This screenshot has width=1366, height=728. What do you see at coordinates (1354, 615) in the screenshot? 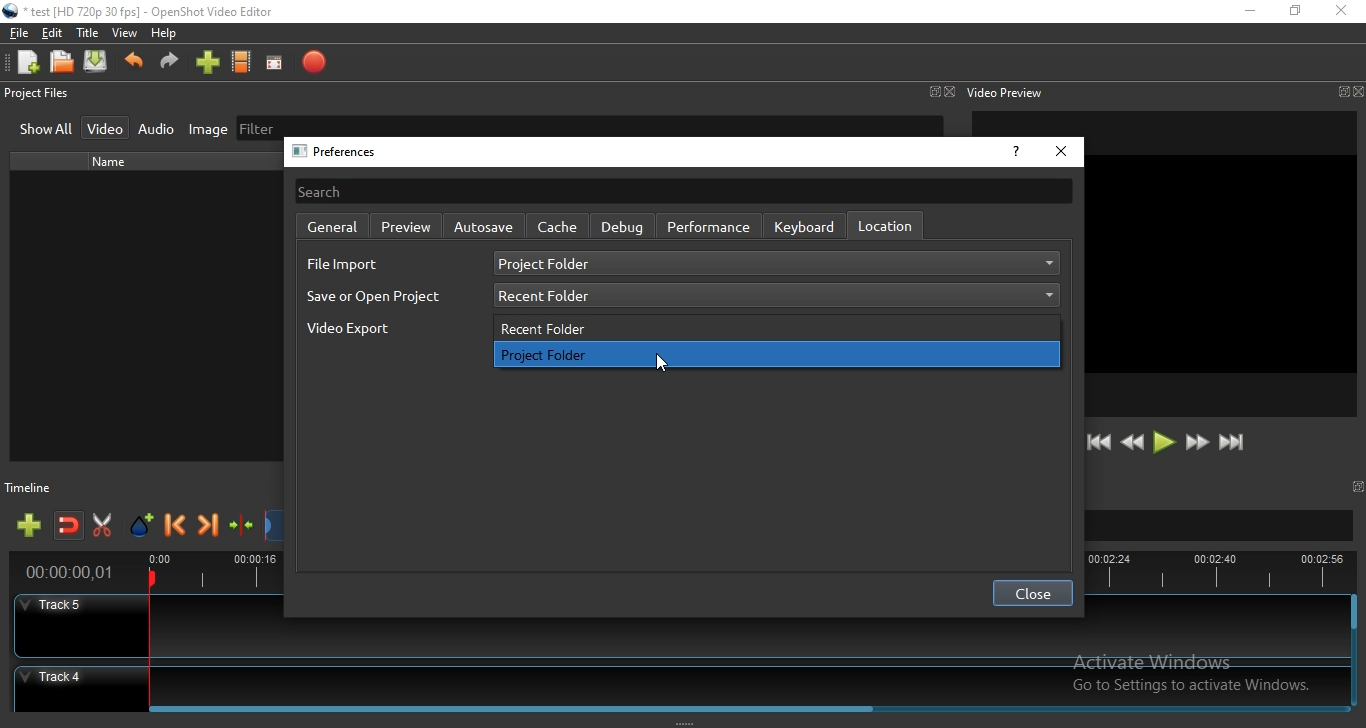
I see `vertical scroll bar` at bounding box center [1354, 615].